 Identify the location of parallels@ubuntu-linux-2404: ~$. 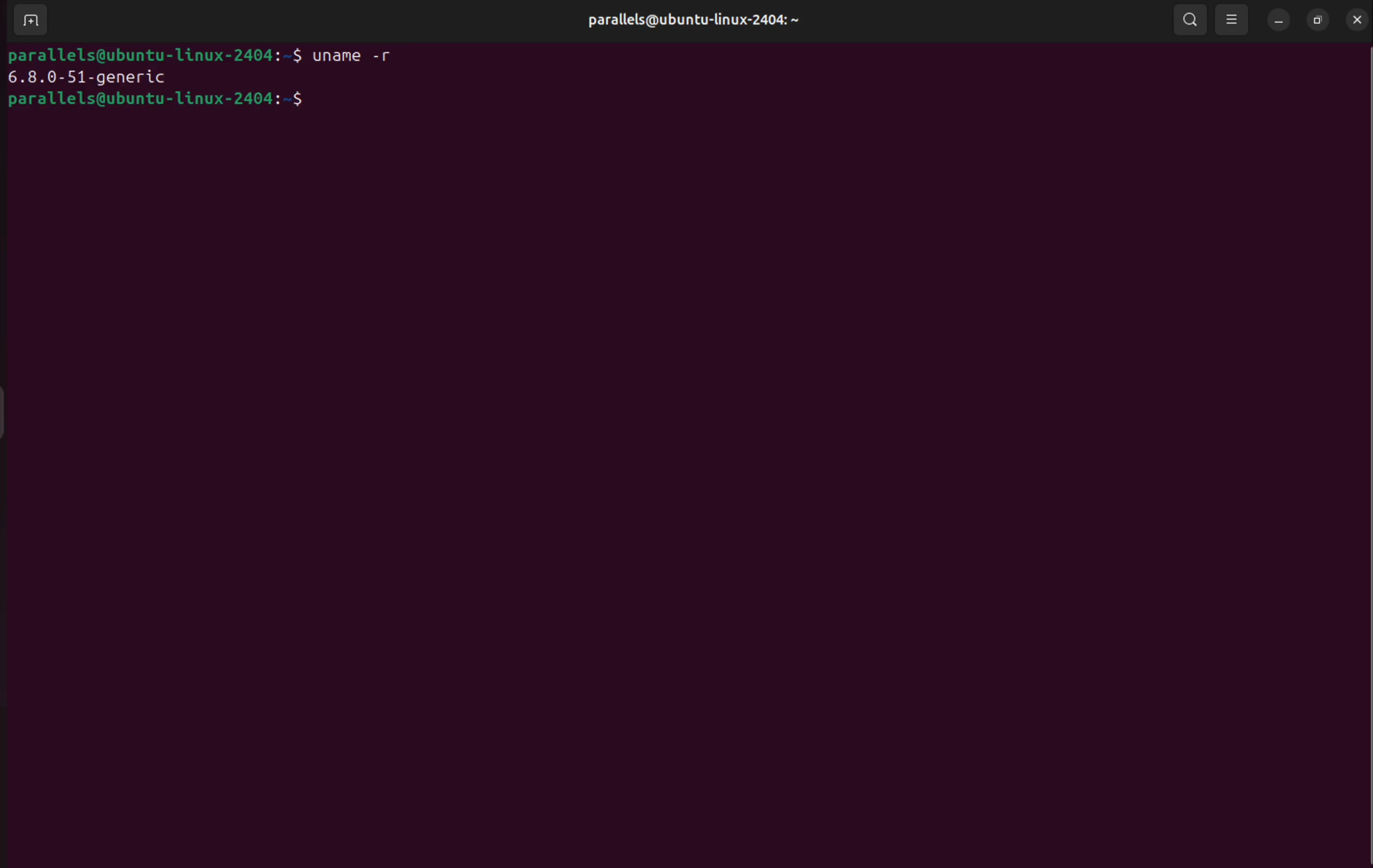
(189, 100).